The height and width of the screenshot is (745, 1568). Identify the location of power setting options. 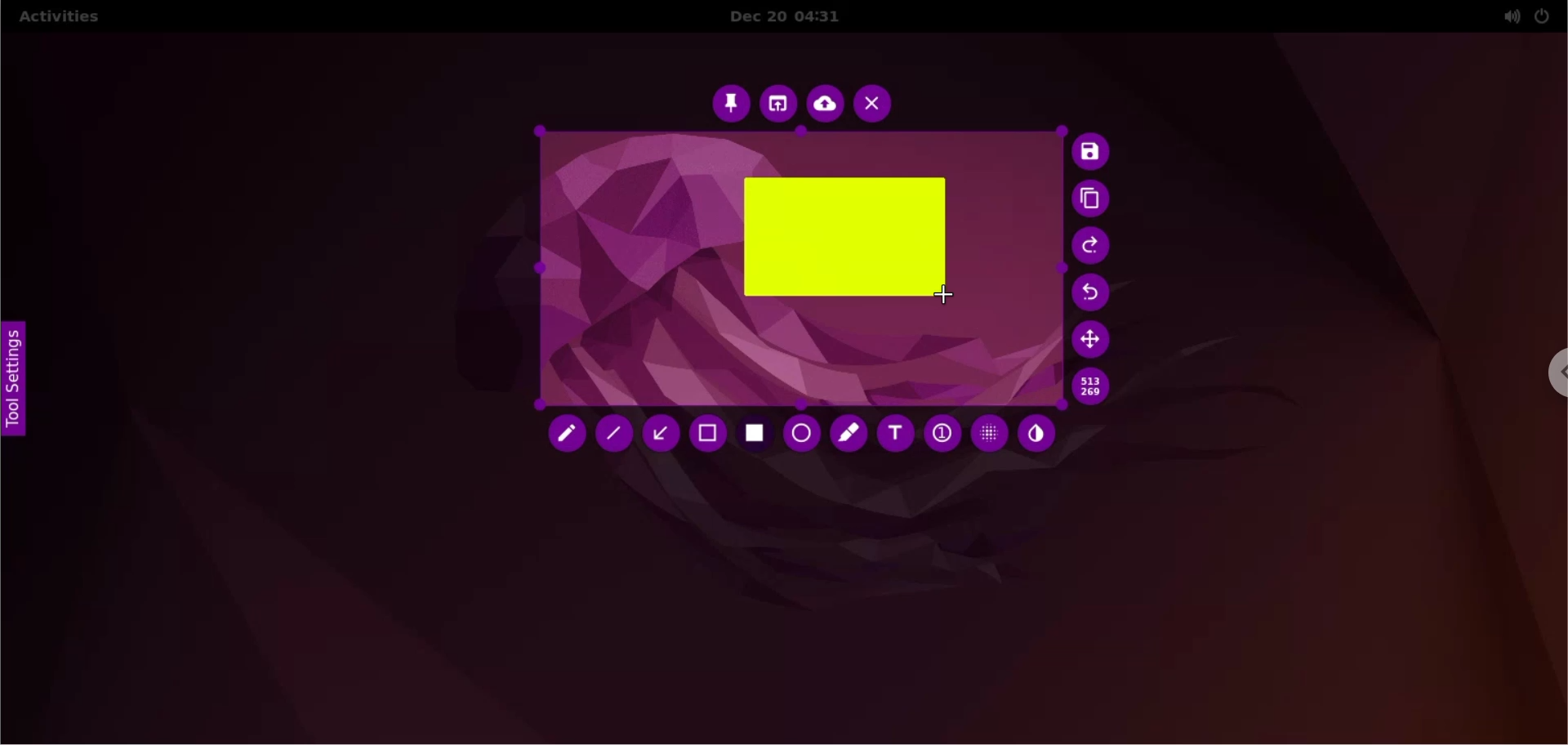
(1548, 15).